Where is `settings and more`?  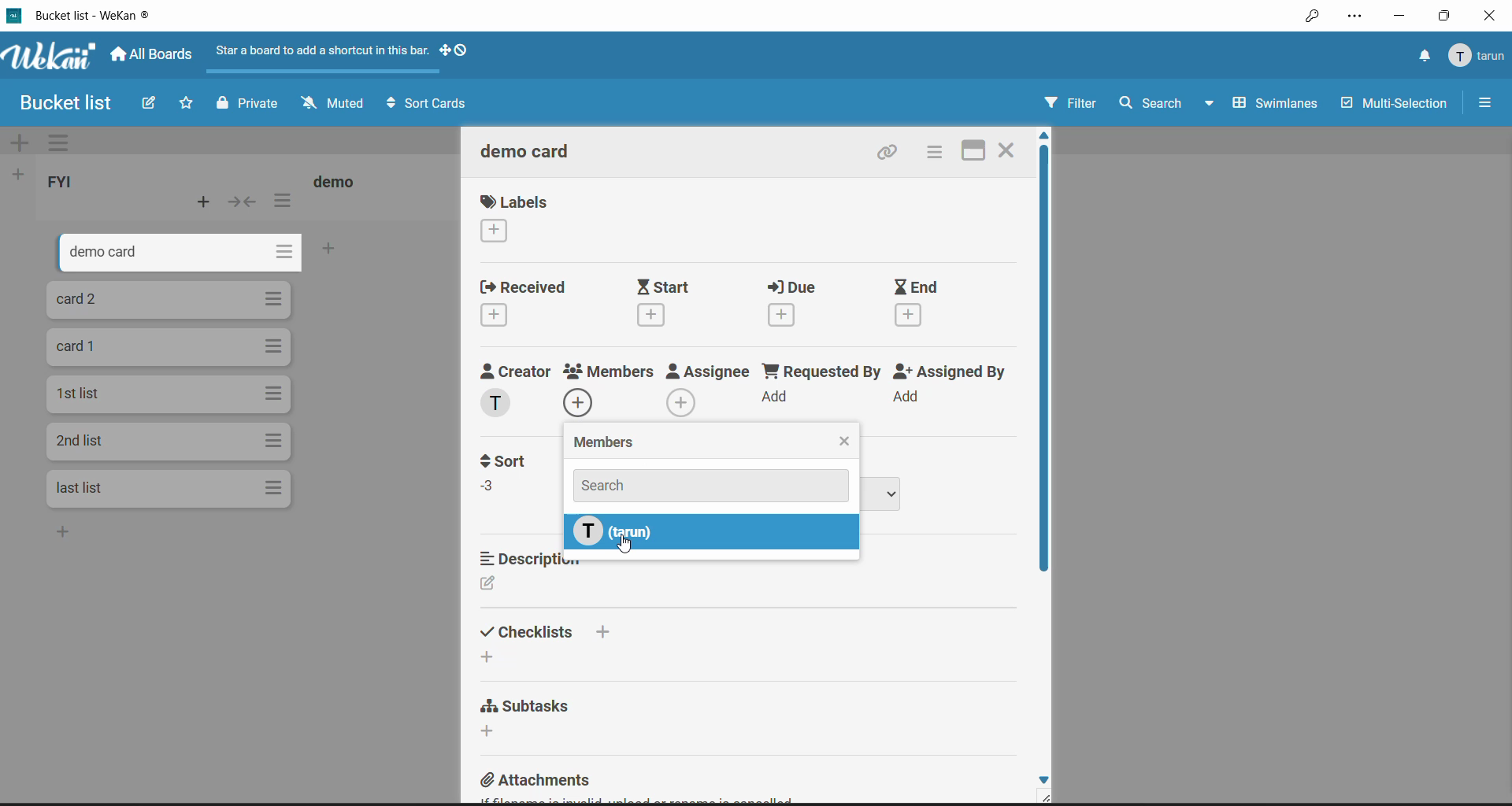
settings and more is located at coordinates (1354, 17).